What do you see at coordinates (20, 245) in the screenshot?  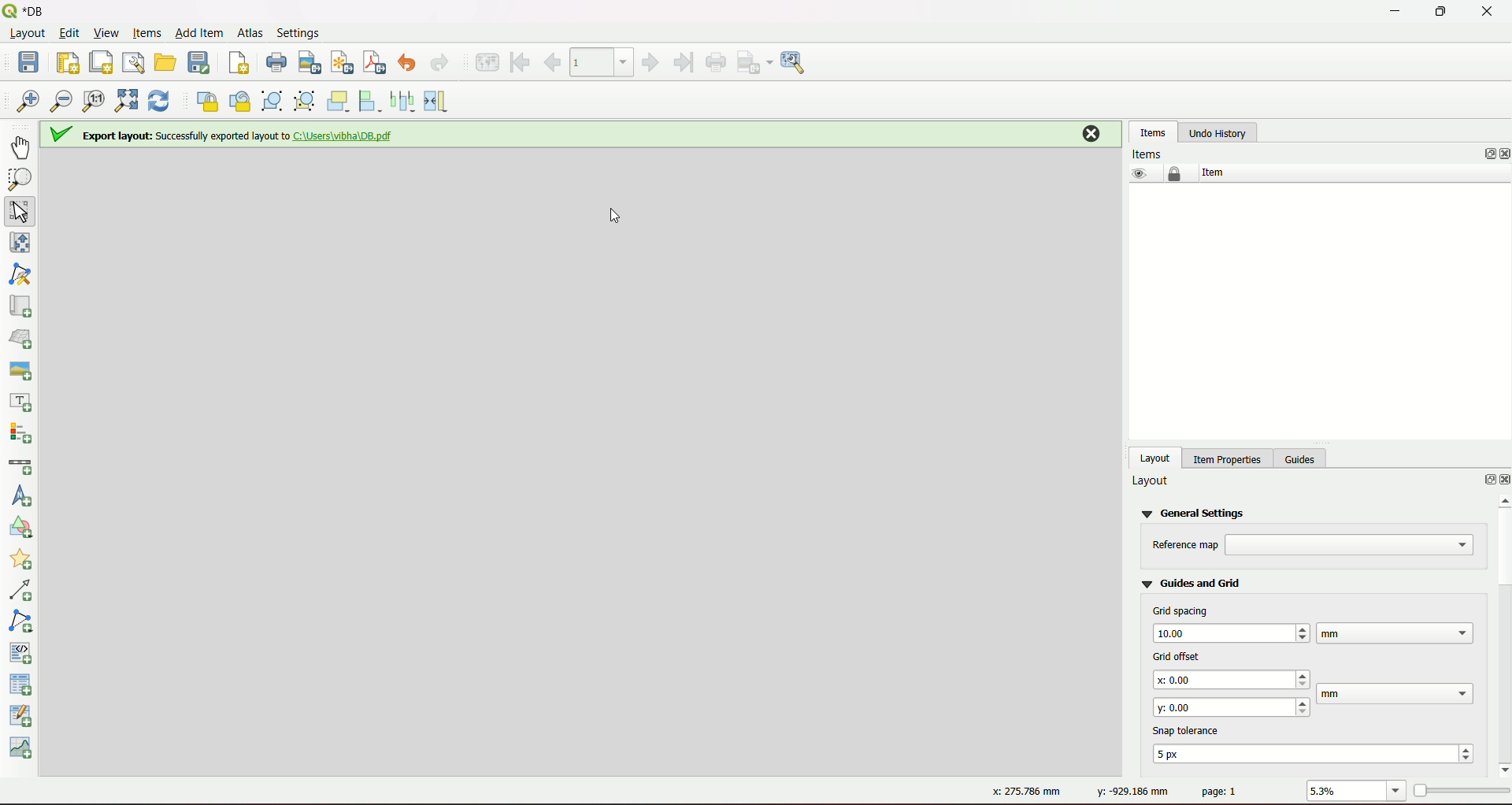 I see `move item content` at bounding box center [20, 245].